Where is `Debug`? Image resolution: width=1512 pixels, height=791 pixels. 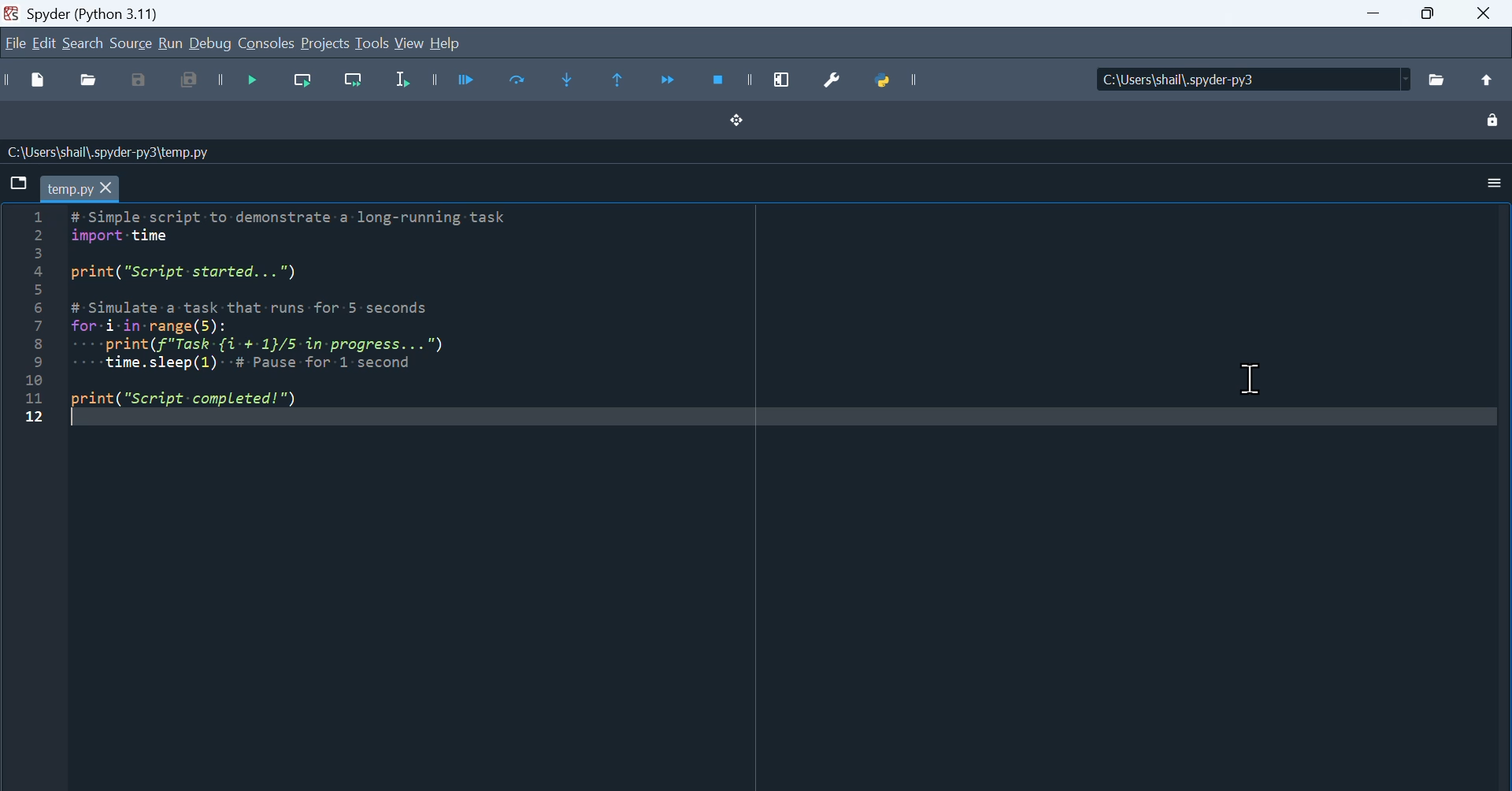 Debug is located at coordinates (209, 42).